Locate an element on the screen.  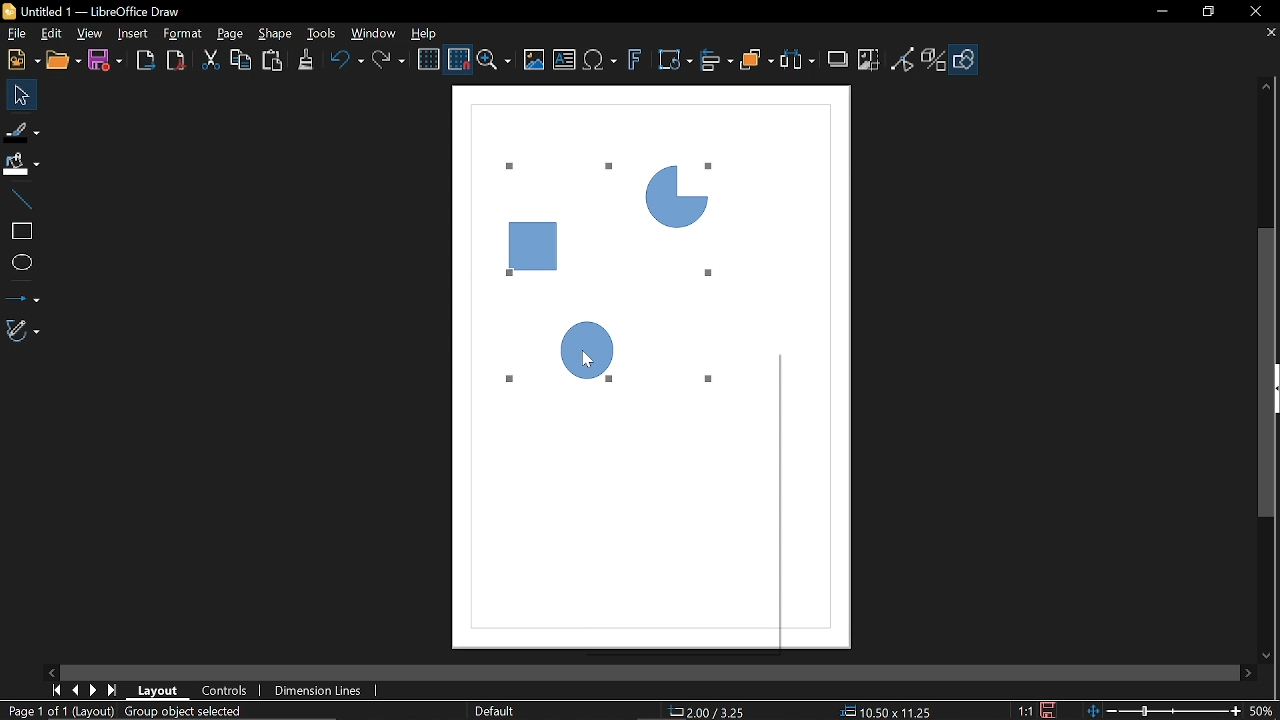
Close tab is located at coordinates (1270, 33).